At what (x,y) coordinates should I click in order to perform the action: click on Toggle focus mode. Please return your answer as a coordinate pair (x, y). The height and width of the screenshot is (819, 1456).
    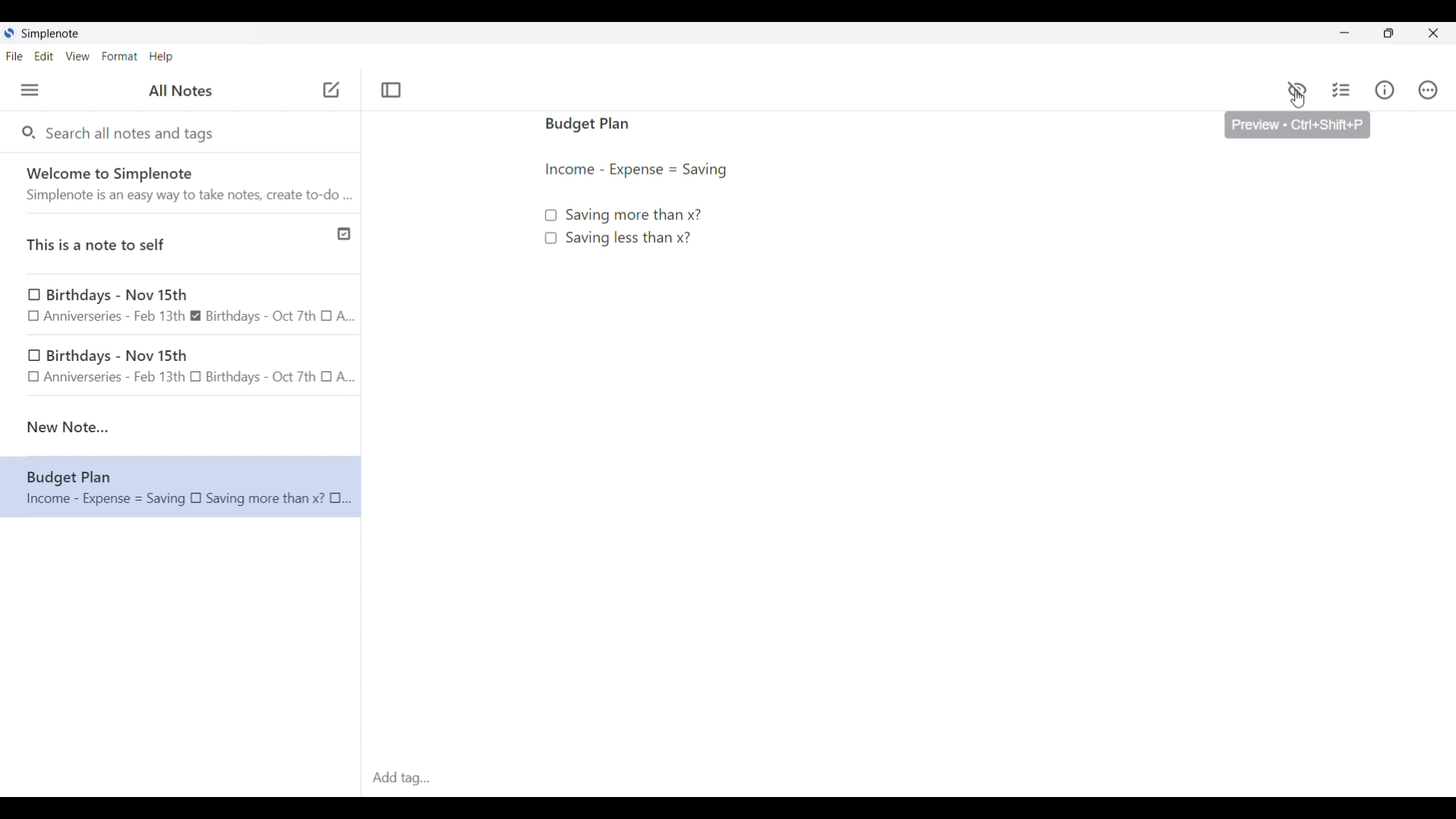
    Looking at the image, I should click on (391, 90).